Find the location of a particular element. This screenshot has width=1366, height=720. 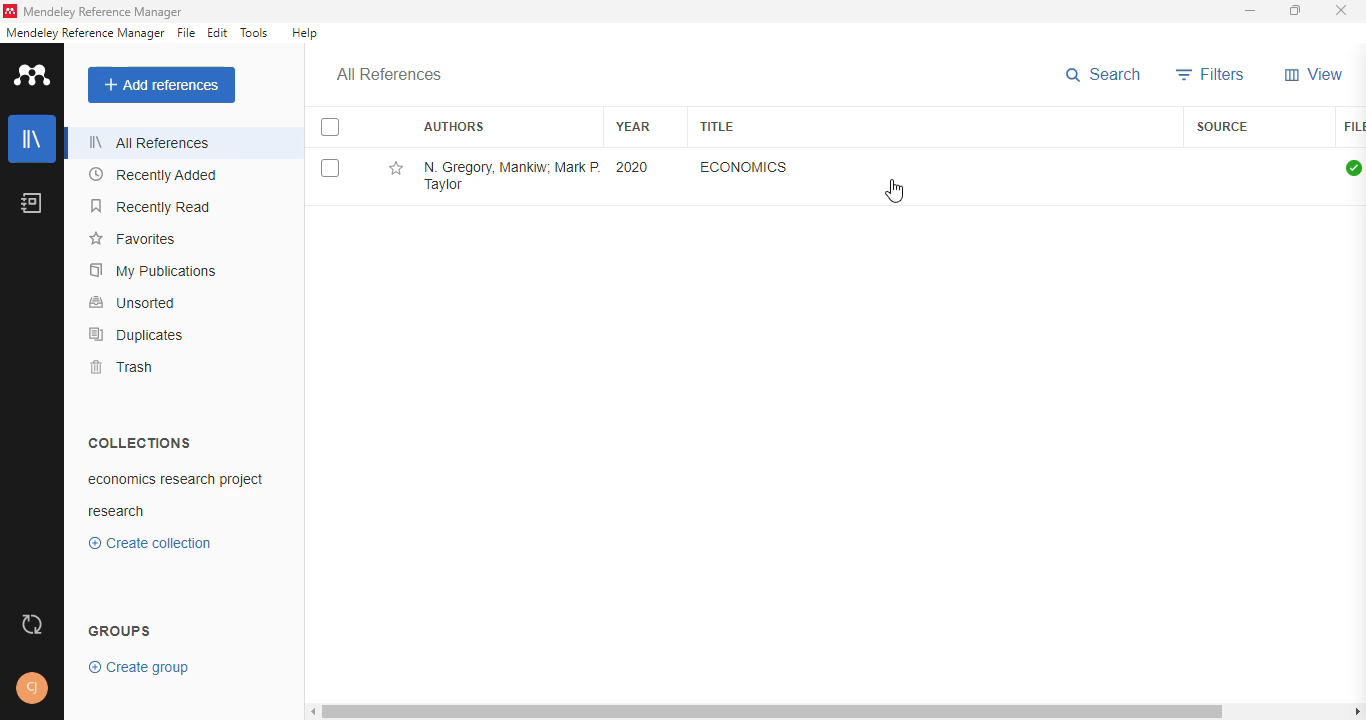

groups is located at coordinates (120, 631).